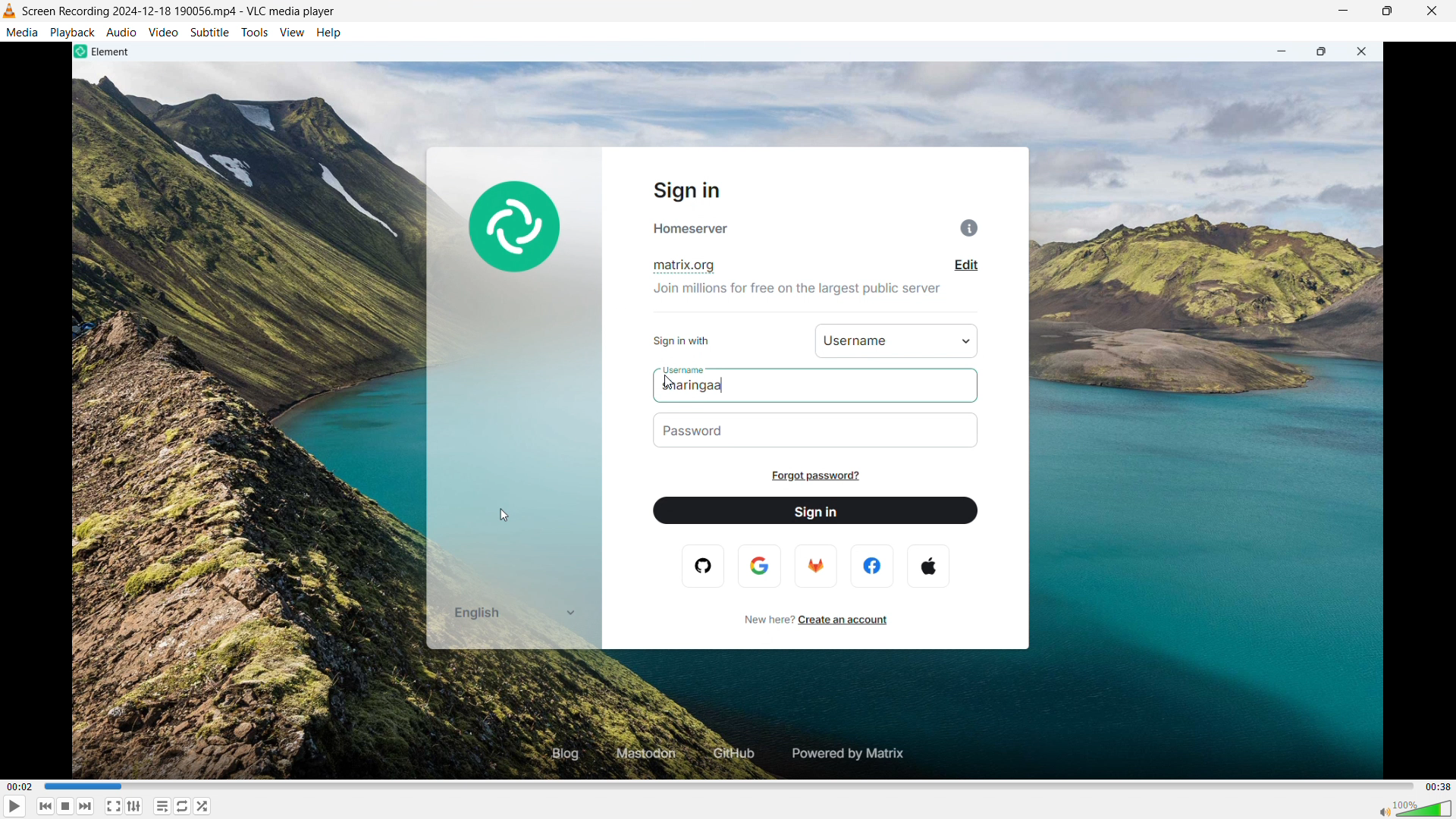 The height and width of the screenshot is (819, 1456). I want to click on minimize, so click(1282, 52).